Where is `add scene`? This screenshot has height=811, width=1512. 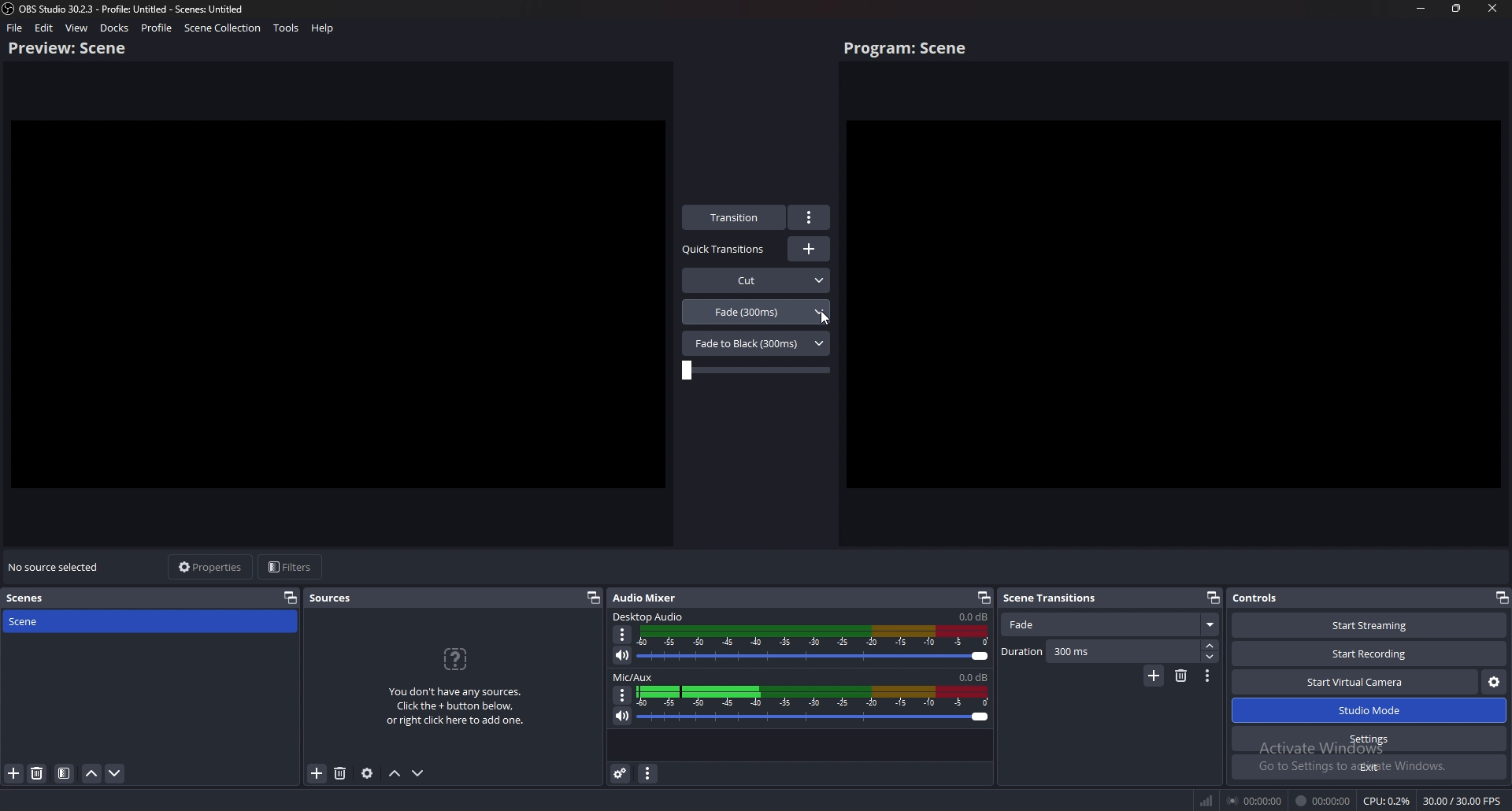
add scene is located at coordinates (13, 773).